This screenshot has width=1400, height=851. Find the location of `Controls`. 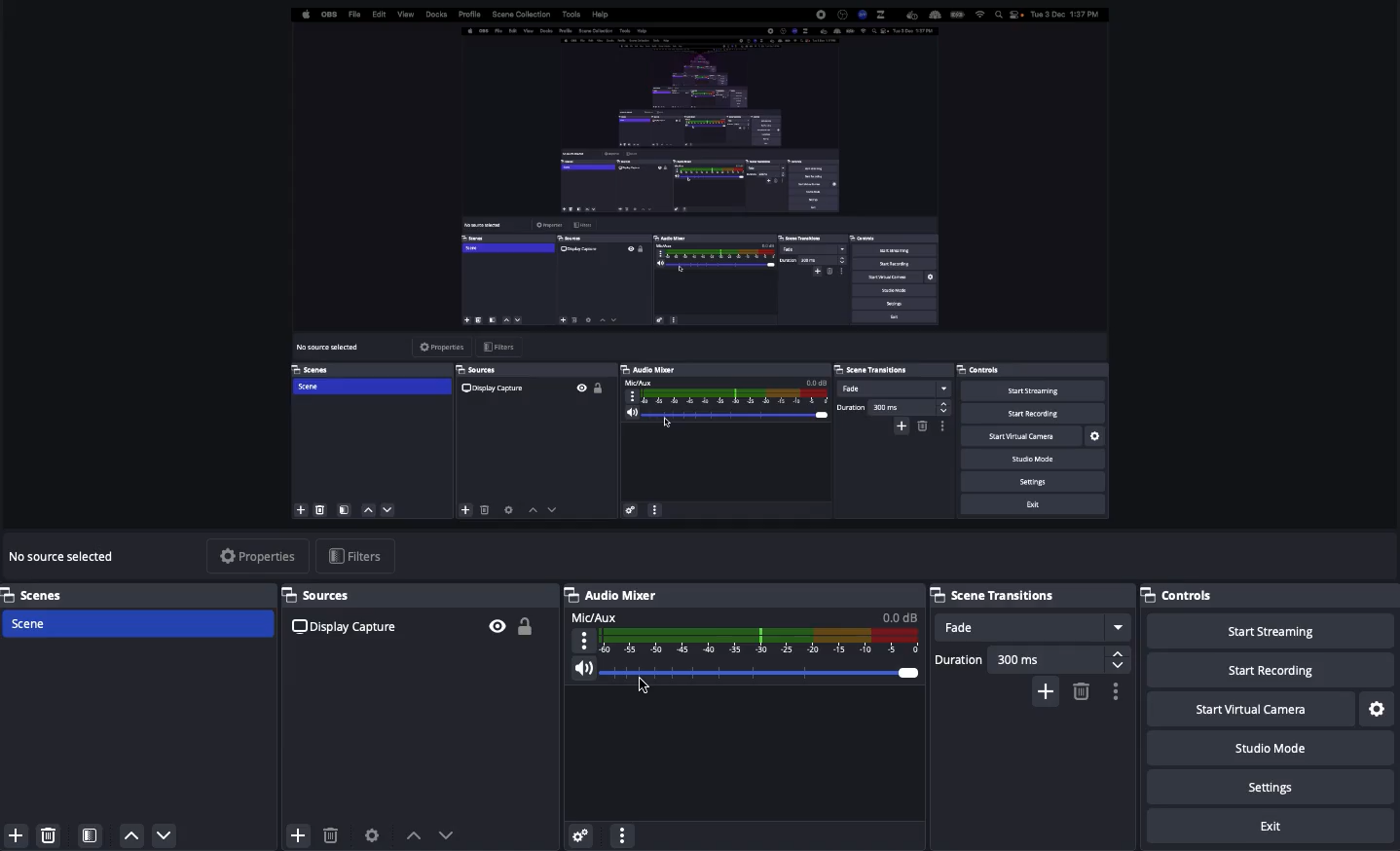

Controls is located at coordinates (1185, 595).